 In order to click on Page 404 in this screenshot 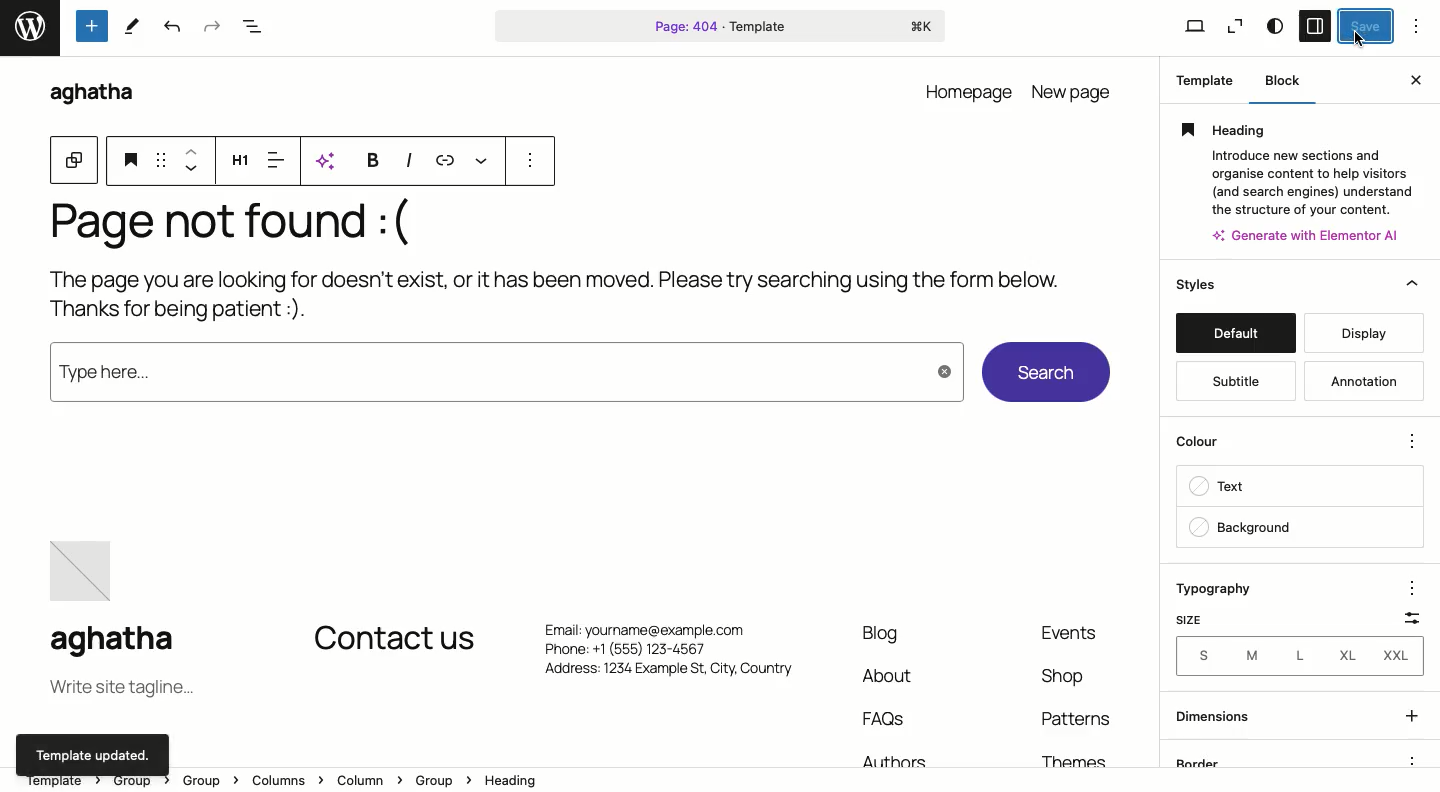, I will do `click(722, 25)`.